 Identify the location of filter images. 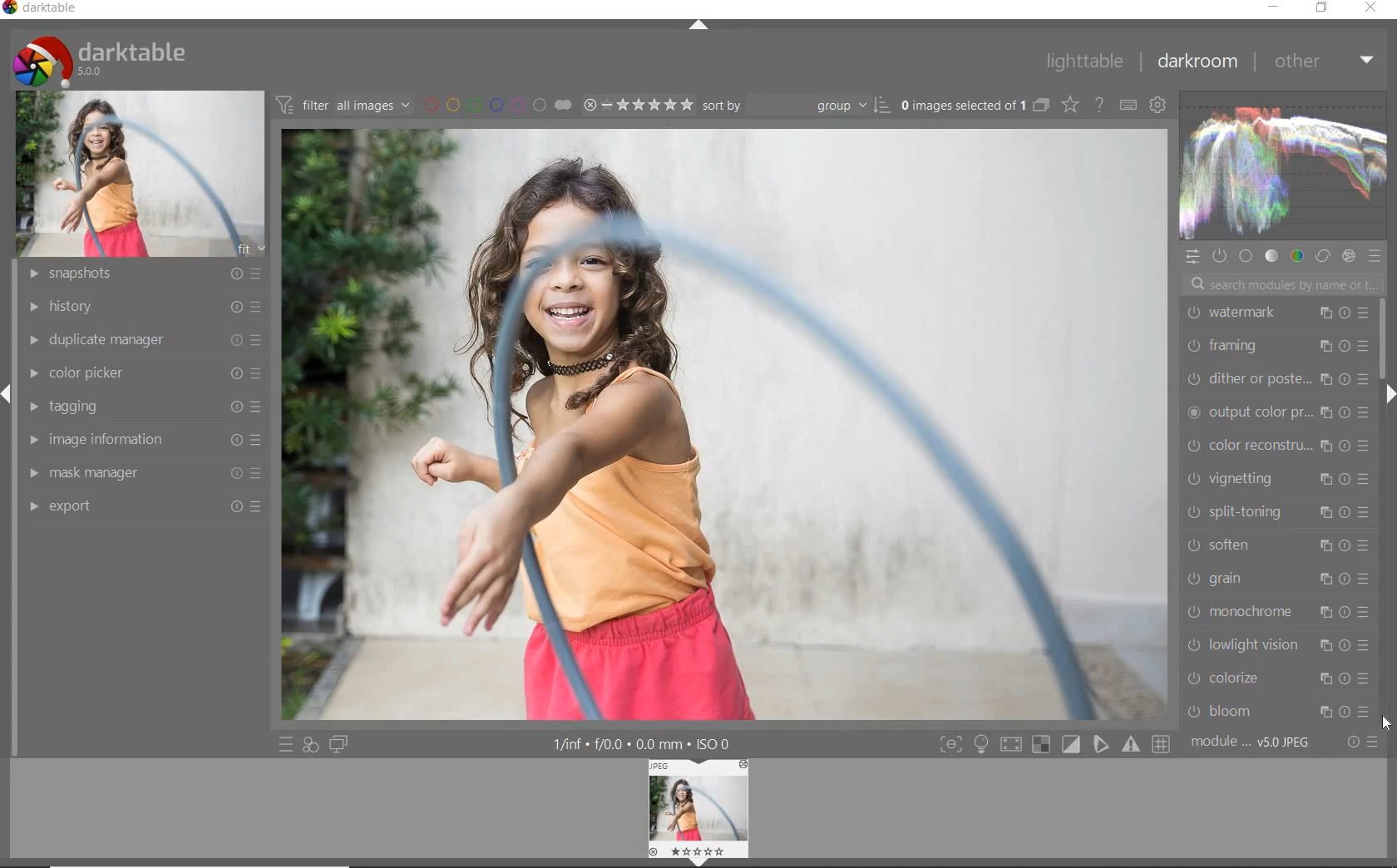
(343, 106).